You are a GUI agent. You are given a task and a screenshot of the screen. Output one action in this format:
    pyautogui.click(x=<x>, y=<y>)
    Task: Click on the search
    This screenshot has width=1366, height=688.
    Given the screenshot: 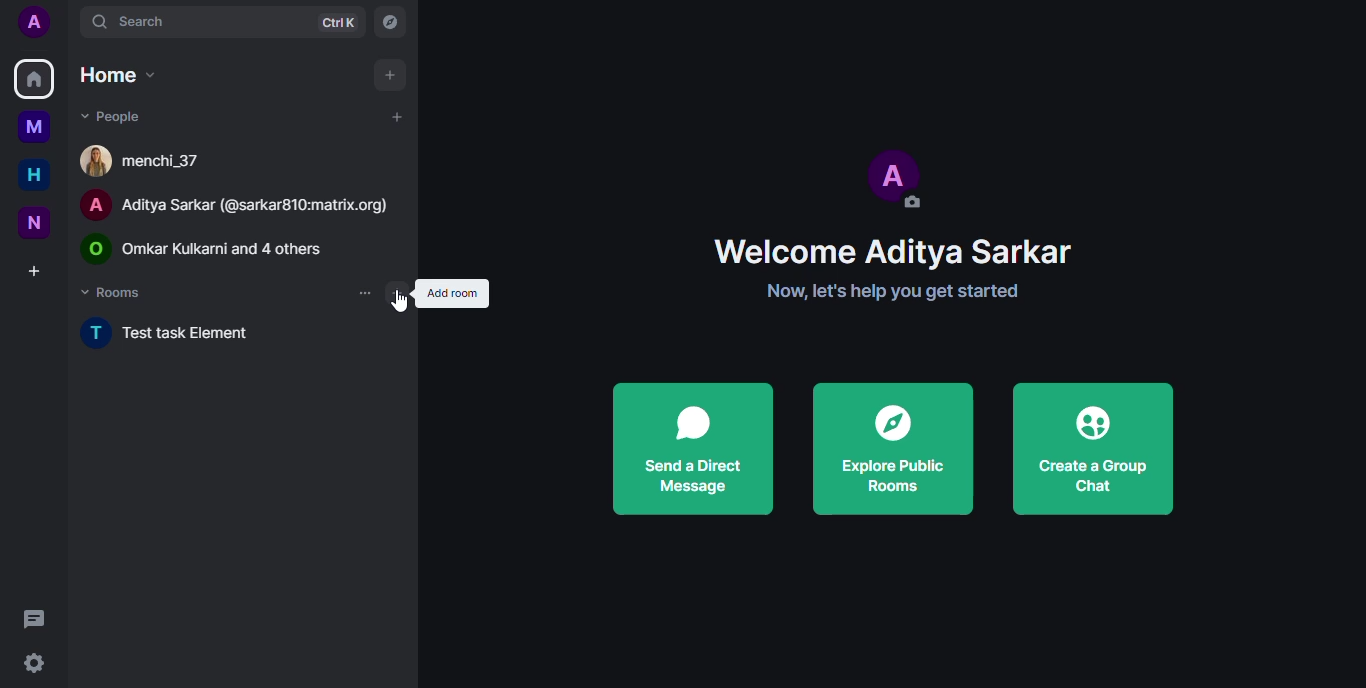 What is the action you would take?
    pyautogui.click(x=133, y=23)
    